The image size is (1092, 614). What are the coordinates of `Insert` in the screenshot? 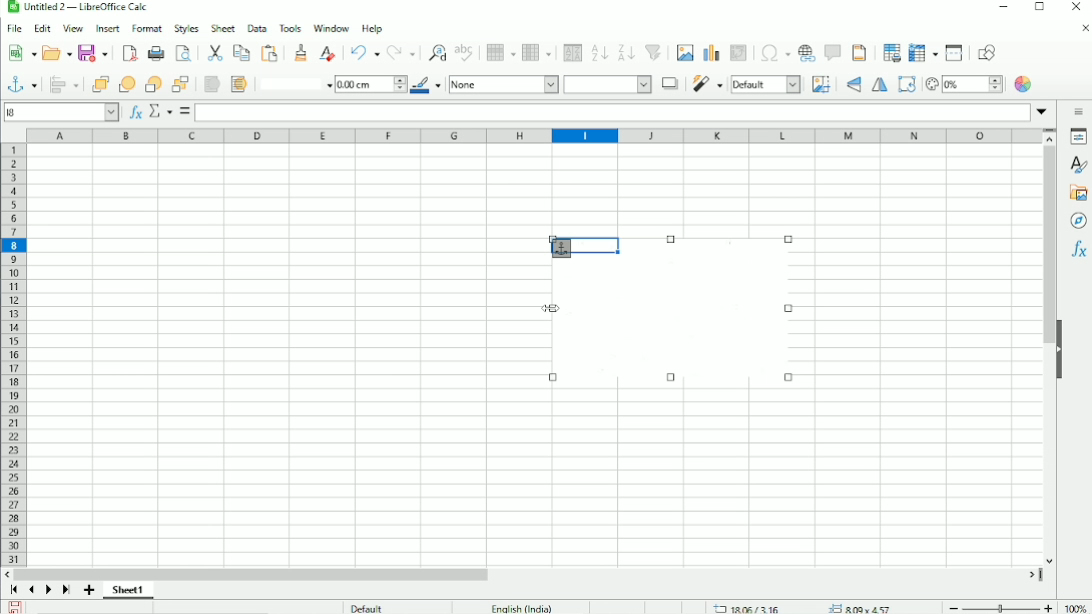 It's located at (106, 29).